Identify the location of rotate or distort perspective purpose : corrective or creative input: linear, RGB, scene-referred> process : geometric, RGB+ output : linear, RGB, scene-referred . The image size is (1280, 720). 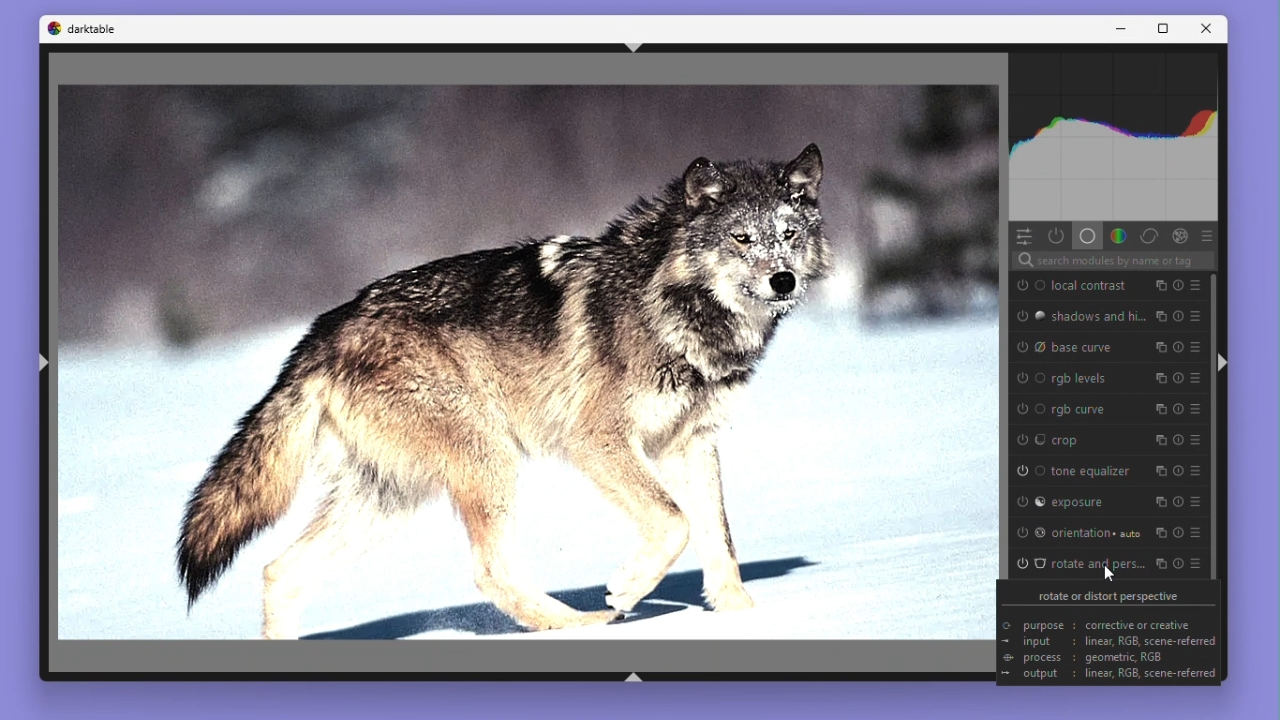
(1117, 636).